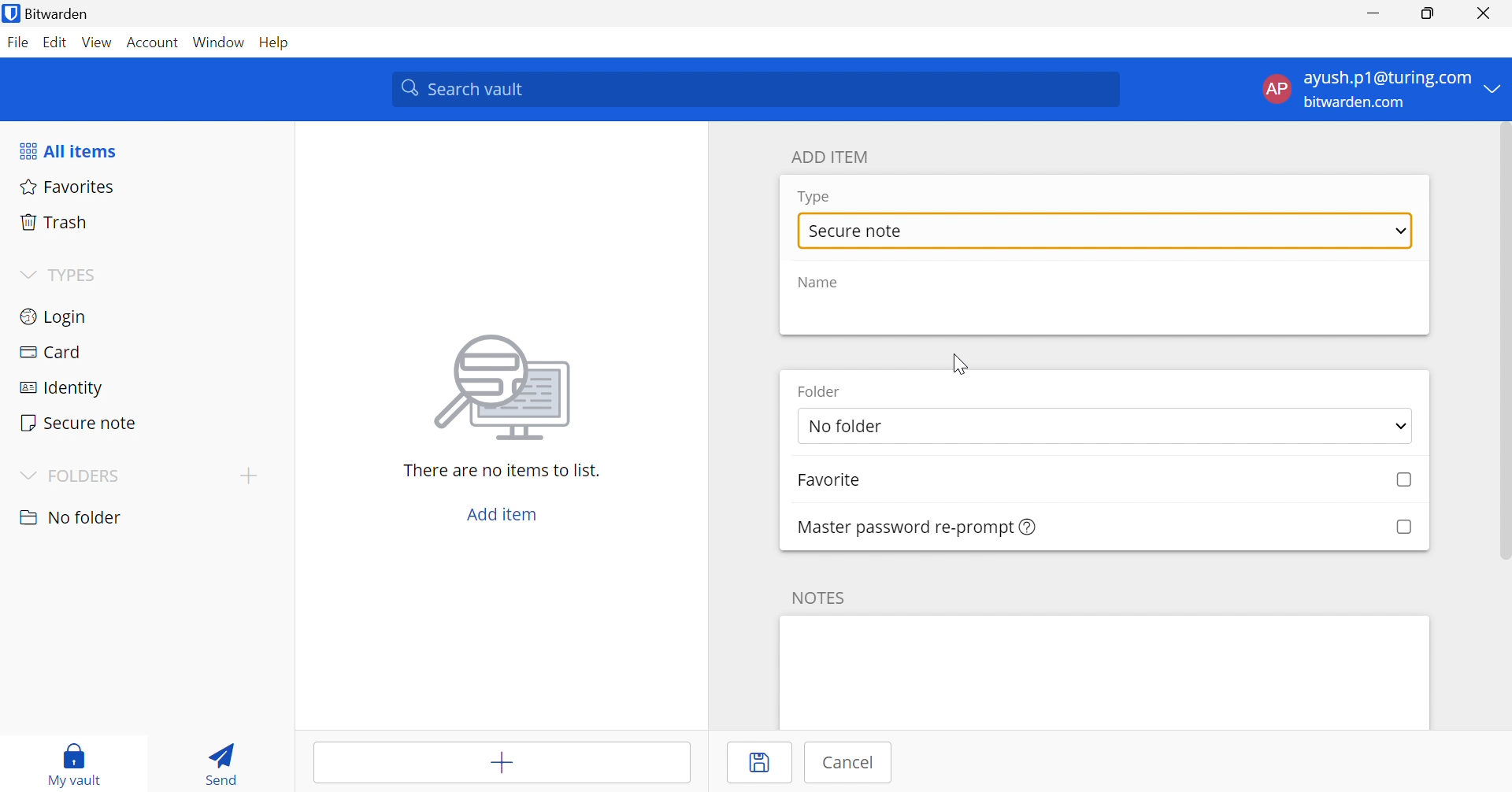 Image resolution: width=1512 pixels, height=792 pixels. What do you see at coordinates (502, 516) in the screenshot?
I see `Add item` at bounding box center [502, 516].